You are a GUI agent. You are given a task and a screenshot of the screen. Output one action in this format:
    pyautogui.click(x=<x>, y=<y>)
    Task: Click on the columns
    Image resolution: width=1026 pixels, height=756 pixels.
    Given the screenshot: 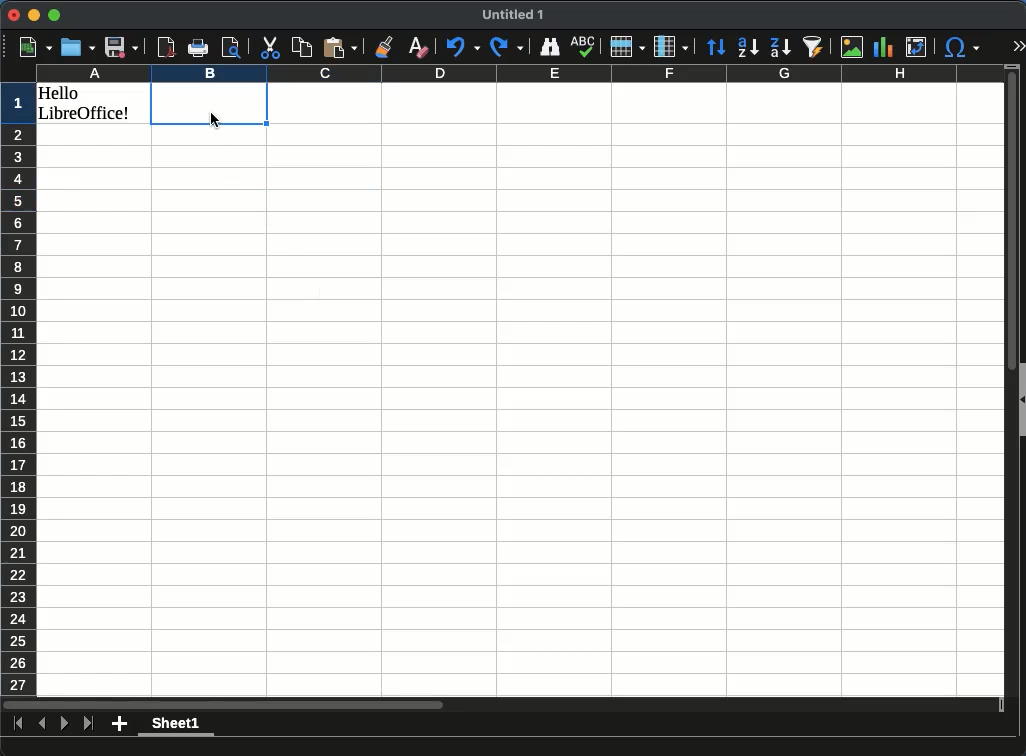 What is the action you would take?
    pyautogui.click(x=518, y=73)
    